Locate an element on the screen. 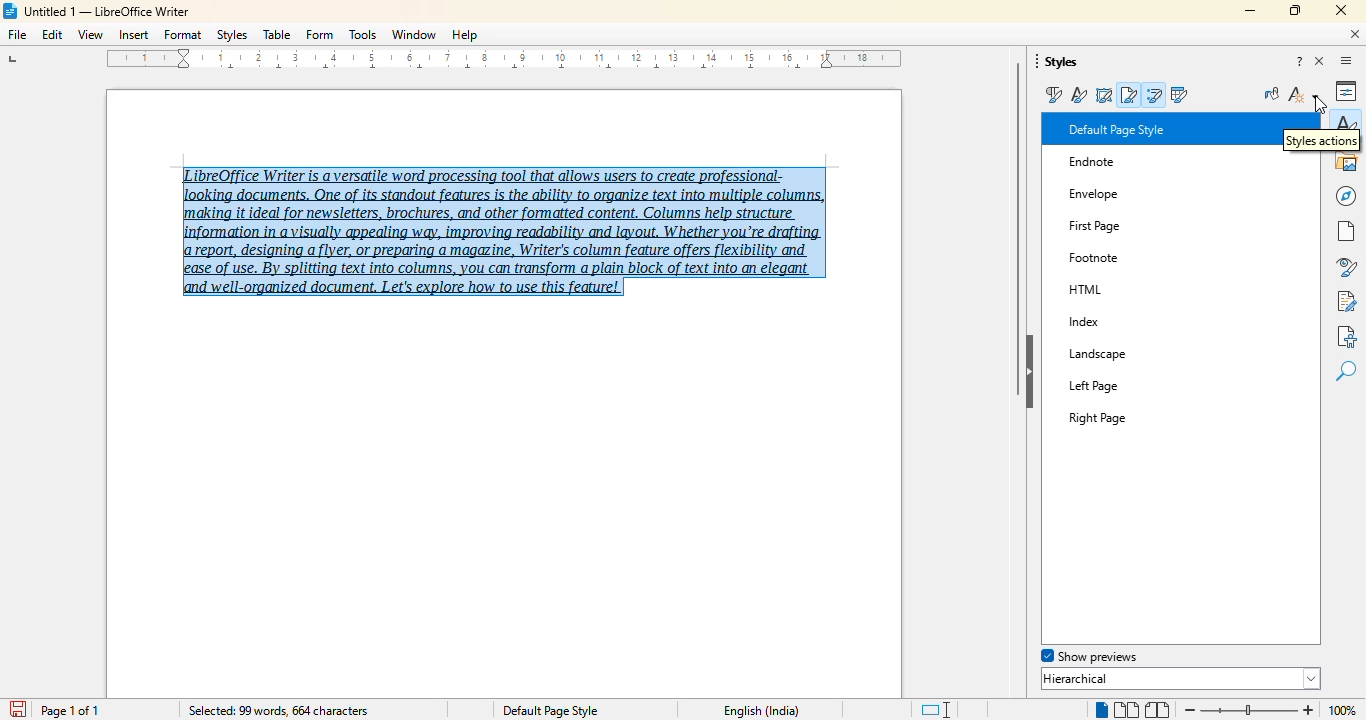  style action is located at coordinates (1325, 140).